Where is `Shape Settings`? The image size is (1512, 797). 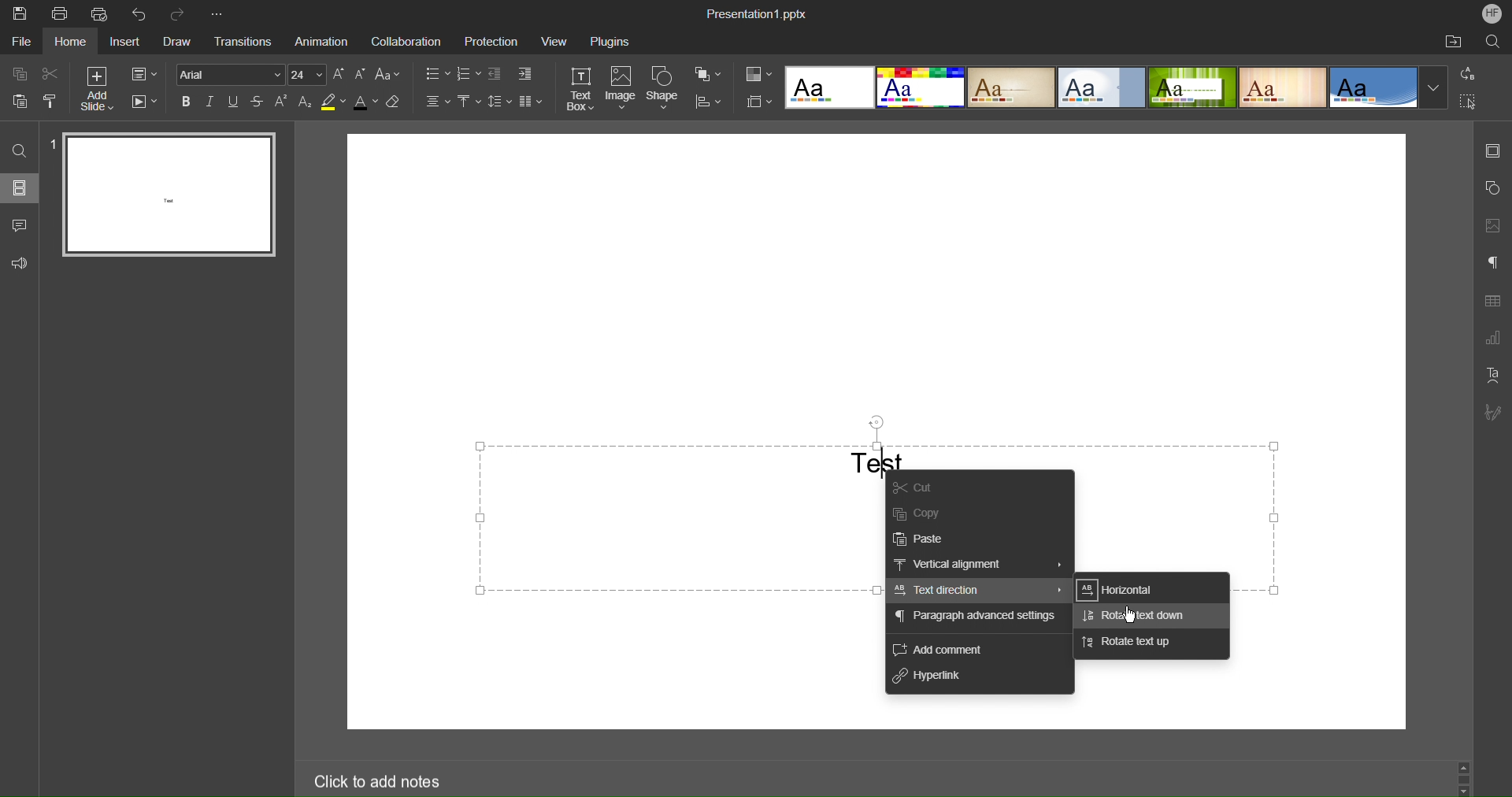 Shape Settings is located at coordinates (1492, 188).